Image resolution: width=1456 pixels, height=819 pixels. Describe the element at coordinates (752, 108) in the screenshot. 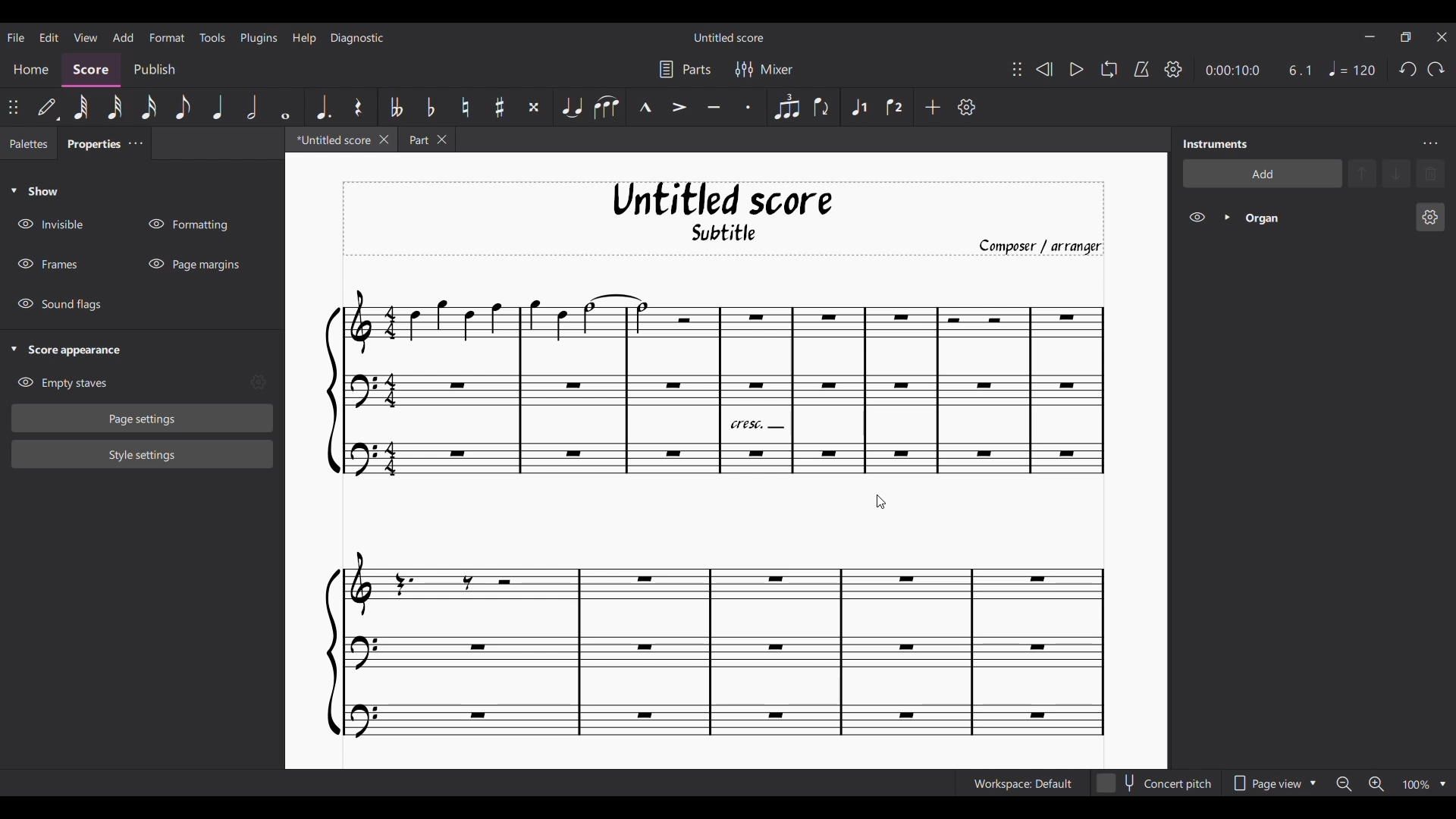

I see `Staccato` at that location.